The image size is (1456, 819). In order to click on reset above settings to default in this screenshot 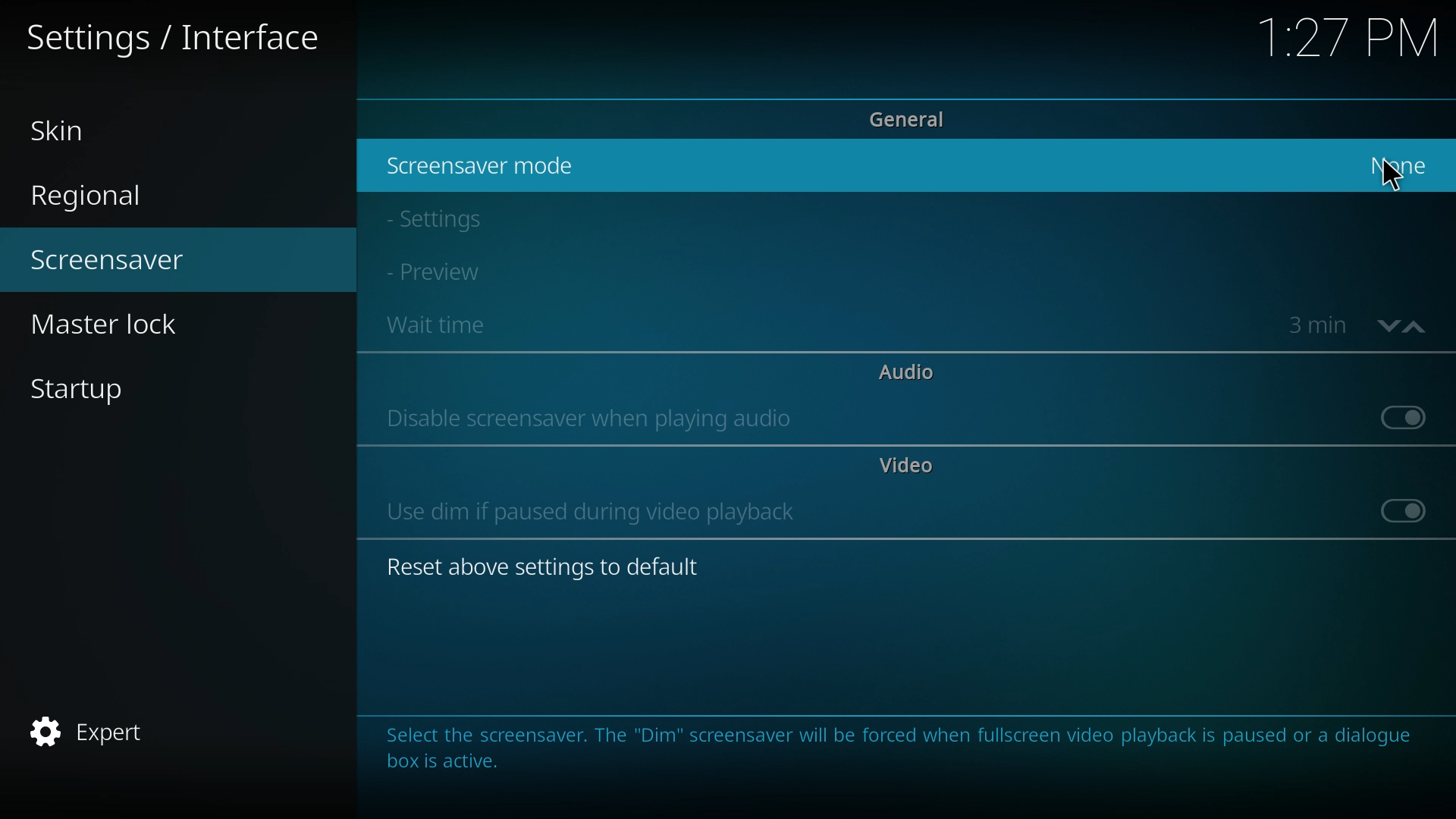, I will do `click(552, 570)`.